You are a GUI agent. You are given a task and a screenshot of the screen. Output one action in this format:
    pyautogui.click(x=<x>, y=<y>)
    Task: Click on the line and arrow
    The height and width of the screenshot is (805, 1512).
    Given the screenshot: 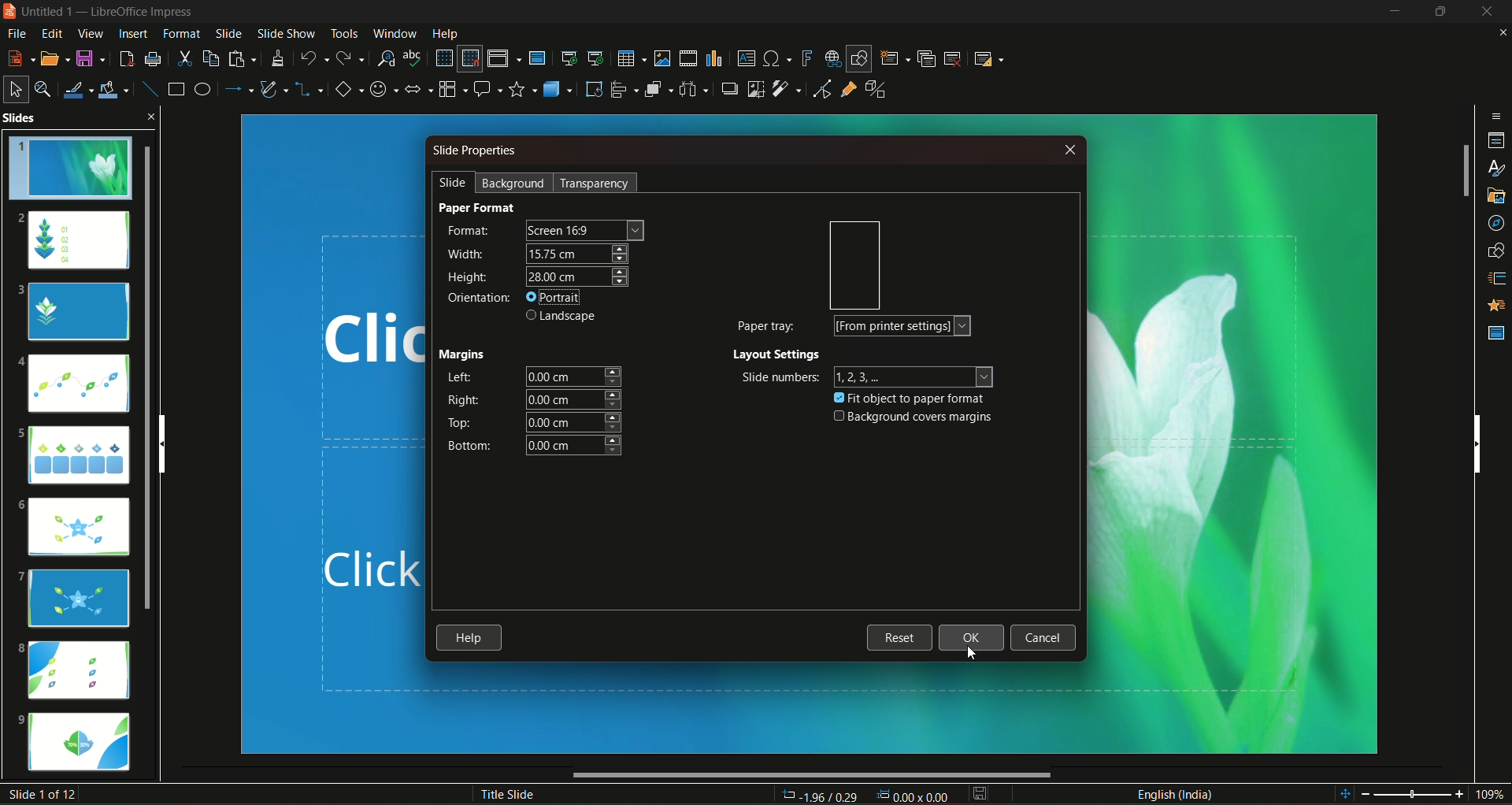 What is the action you would take?
    pyautogui.click(x=239, y=89)
    